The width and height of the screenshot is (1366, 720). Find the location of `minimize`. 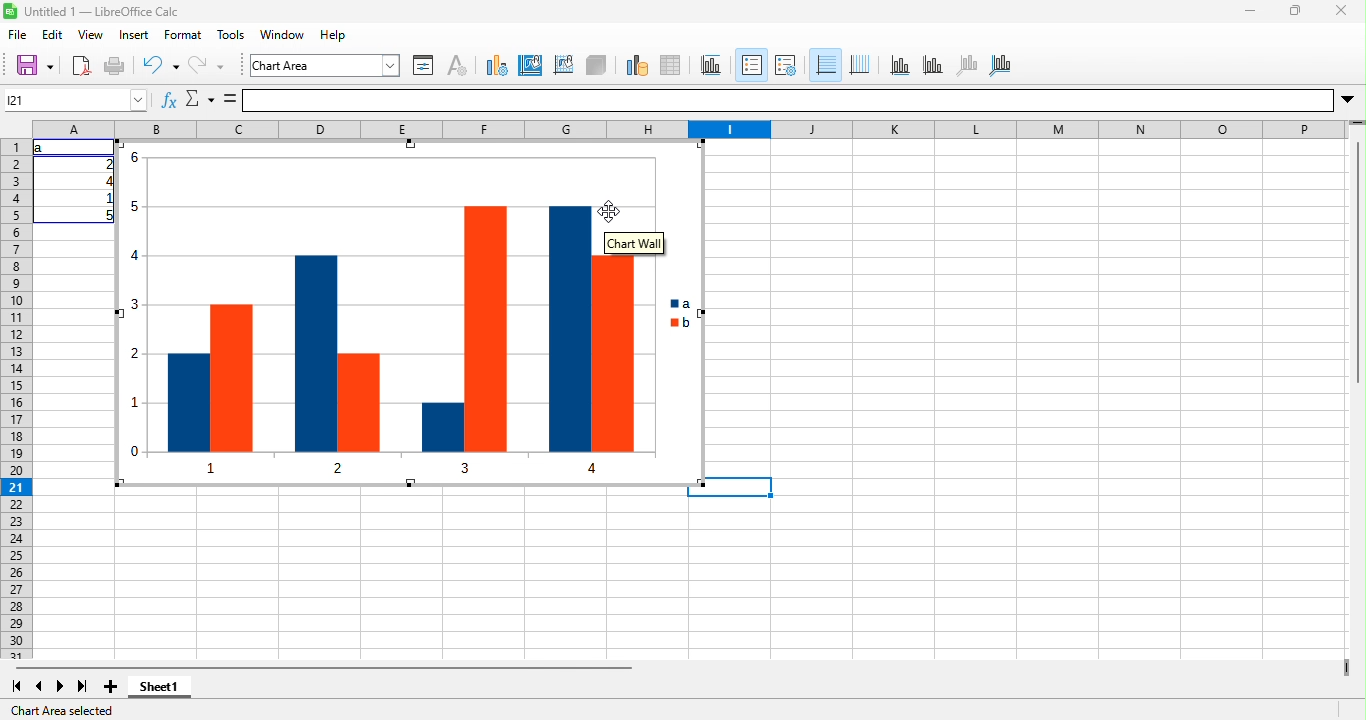

minimize is located at coordinates (1250, 11).